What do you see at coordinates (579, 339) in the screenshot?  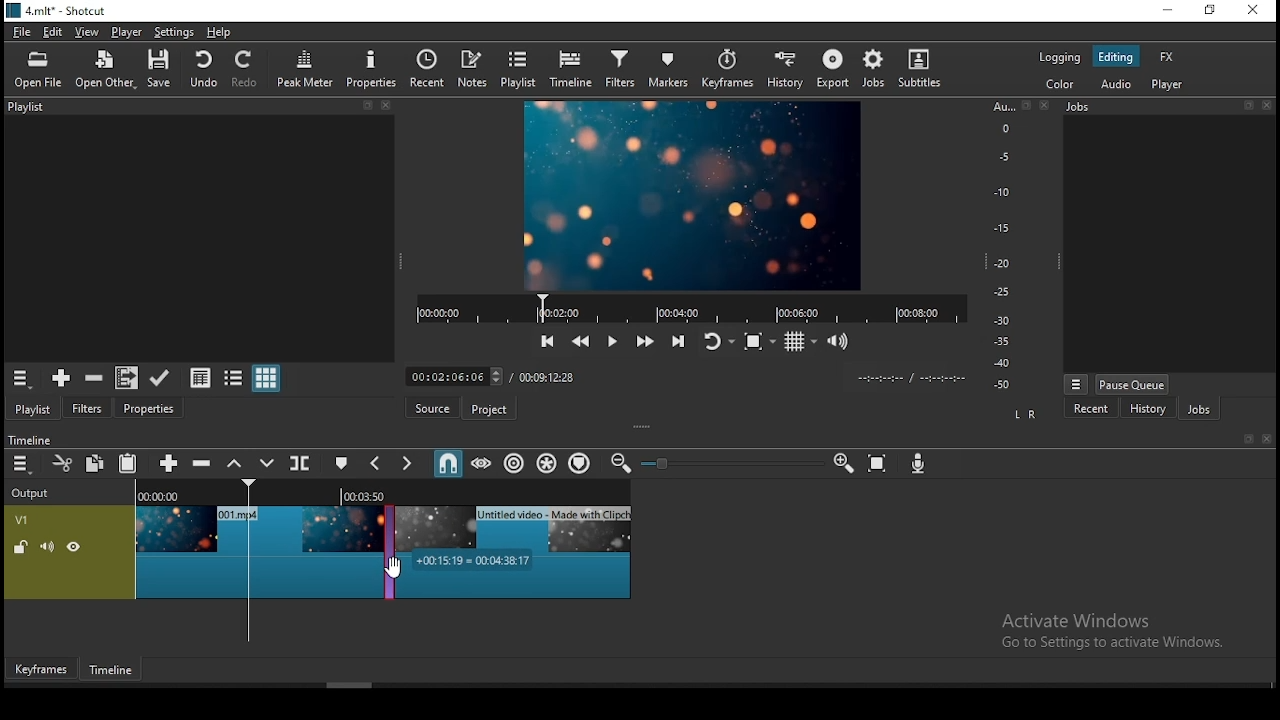 I see `play quickly backwards` at bounding box center [579, 339].